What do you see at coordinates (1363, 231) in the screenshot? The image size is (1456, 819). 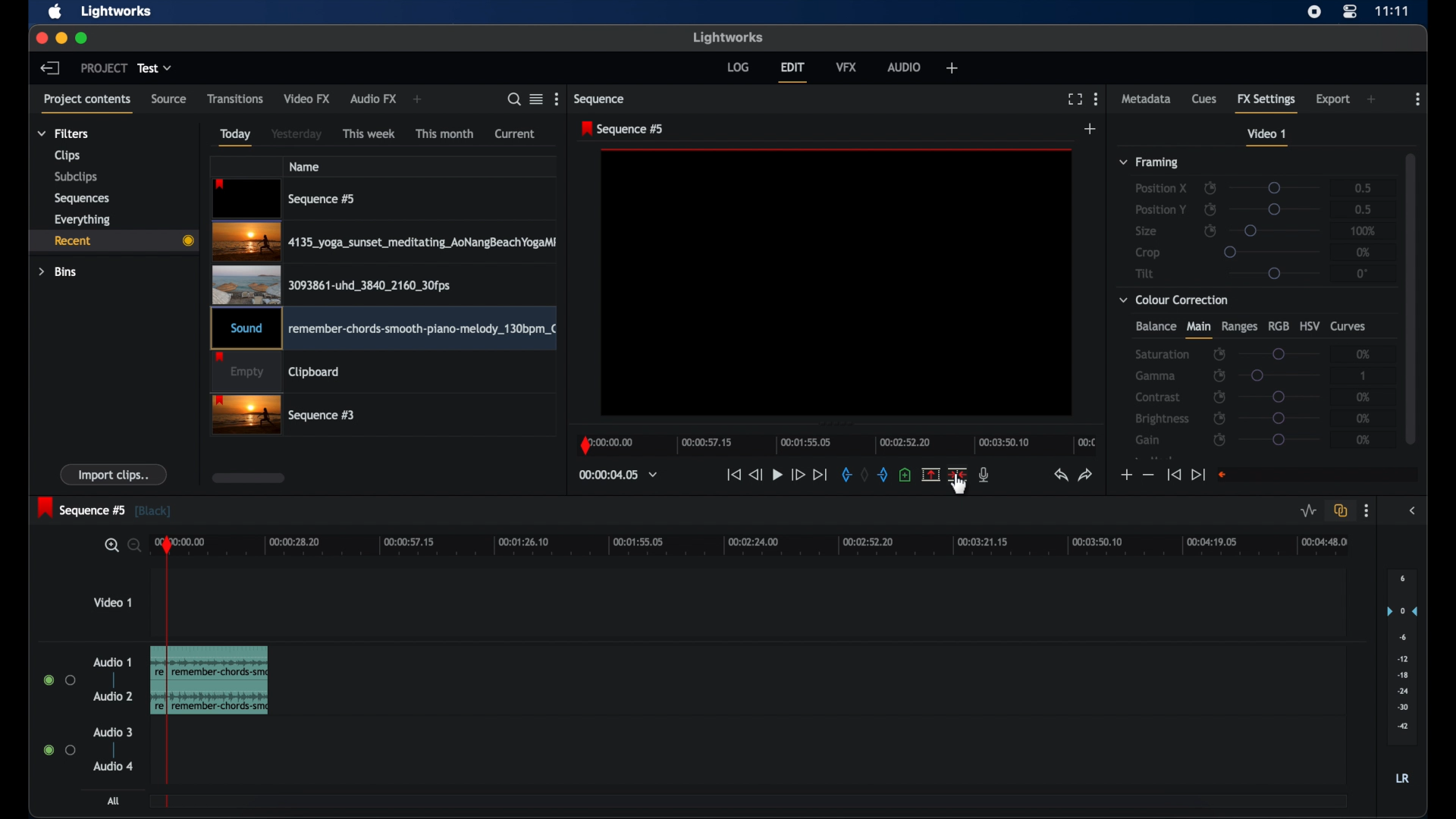 I see `100%` at bounding box center [1363, 231].